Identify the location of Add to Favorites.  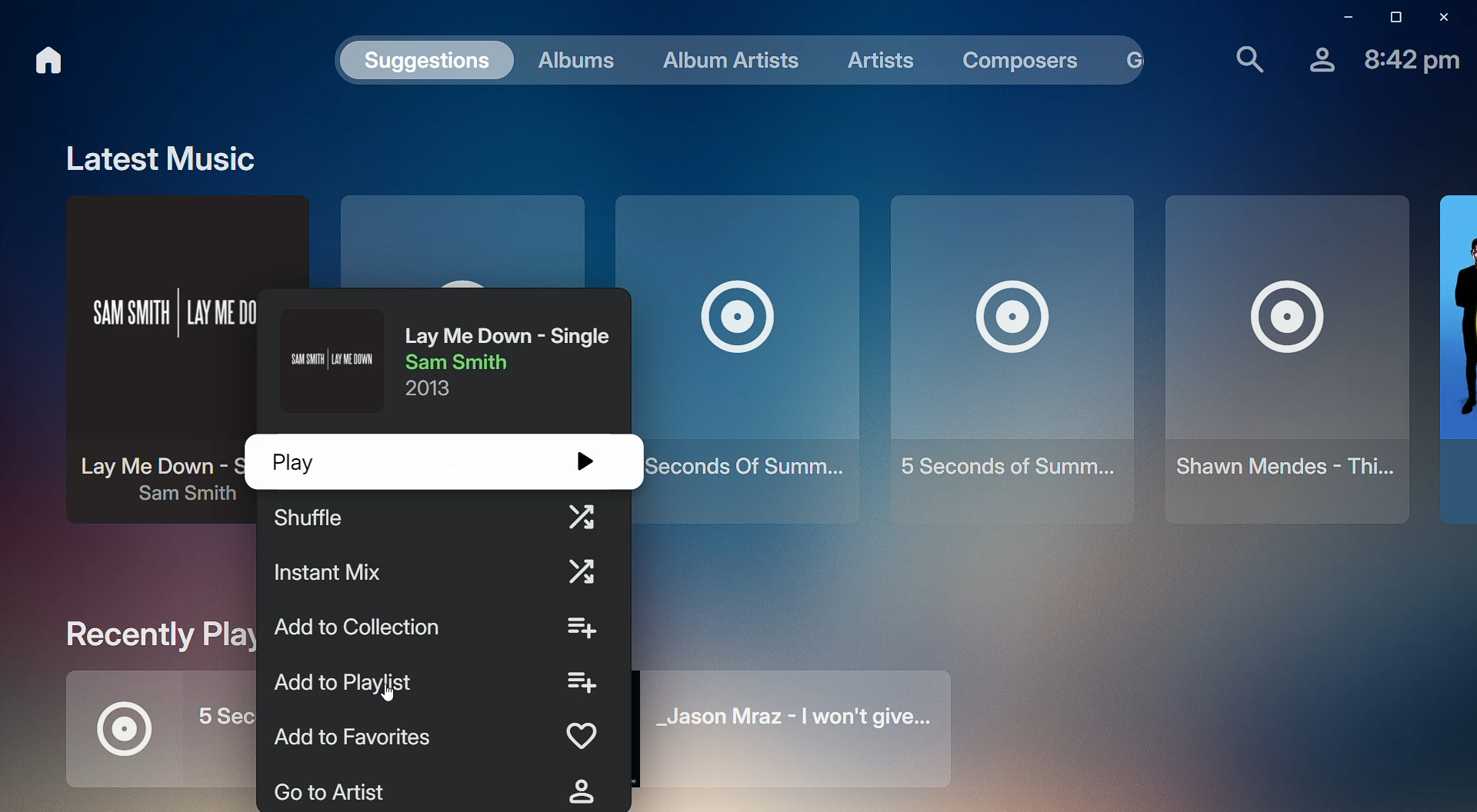
(442, 735).